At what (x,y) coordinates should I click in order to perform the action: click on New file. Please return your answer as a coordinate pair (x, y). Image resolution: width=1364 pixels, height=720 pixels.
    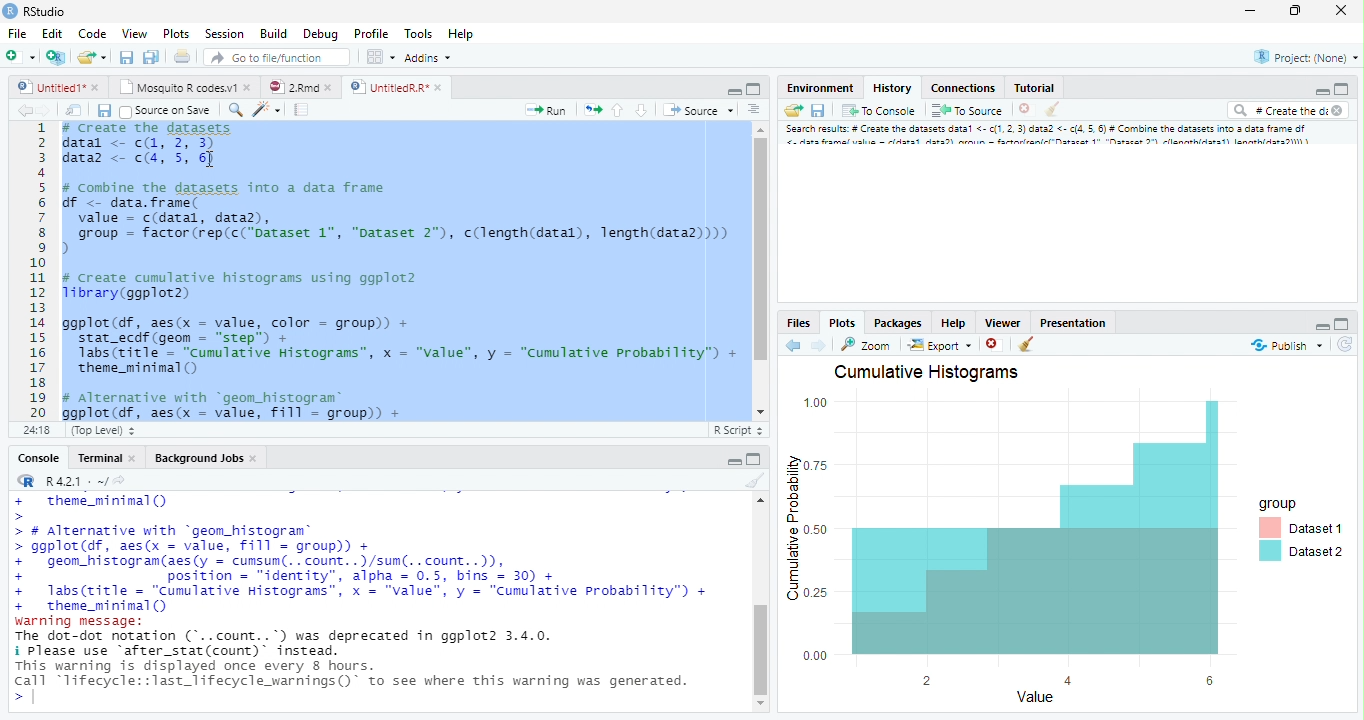
    Looking at the image, I should click on (20, 55).